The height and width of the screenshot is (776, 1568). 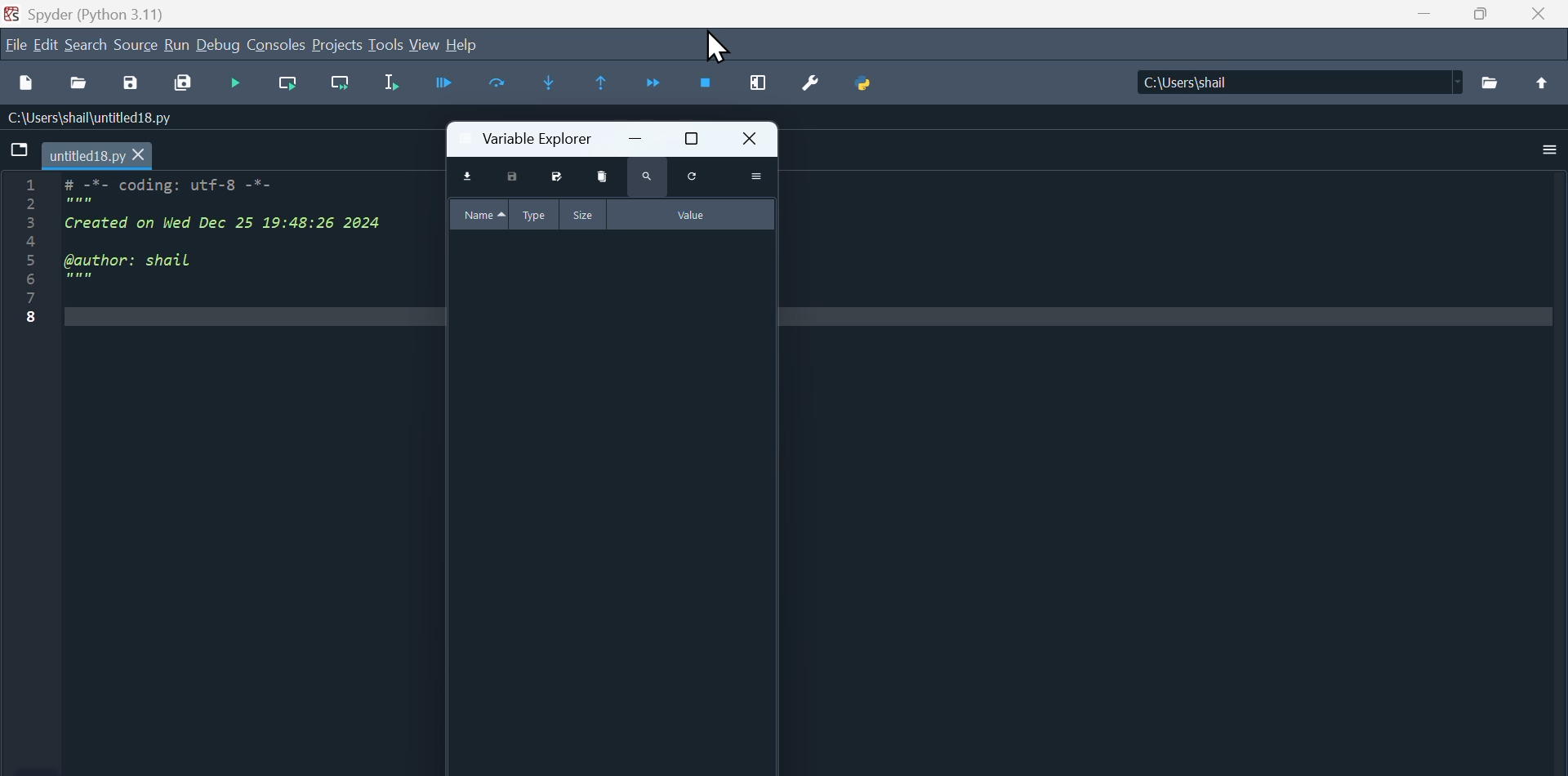 What do you see at coordinates (587, 216) in the screenshot?
I see `size` at bounding box center [587, 216].